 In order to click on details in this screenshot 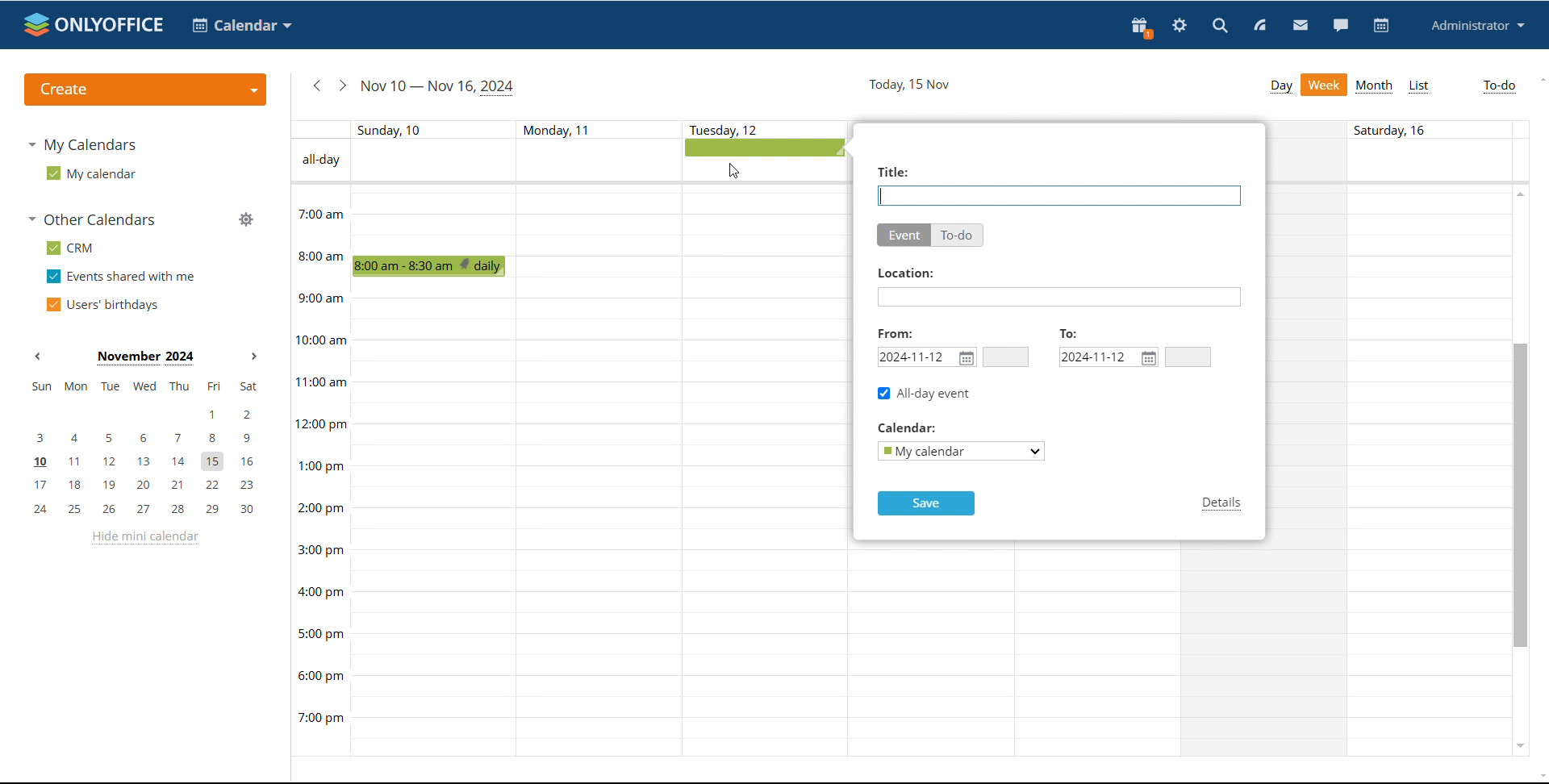, I will do `click(1221, 504)`.